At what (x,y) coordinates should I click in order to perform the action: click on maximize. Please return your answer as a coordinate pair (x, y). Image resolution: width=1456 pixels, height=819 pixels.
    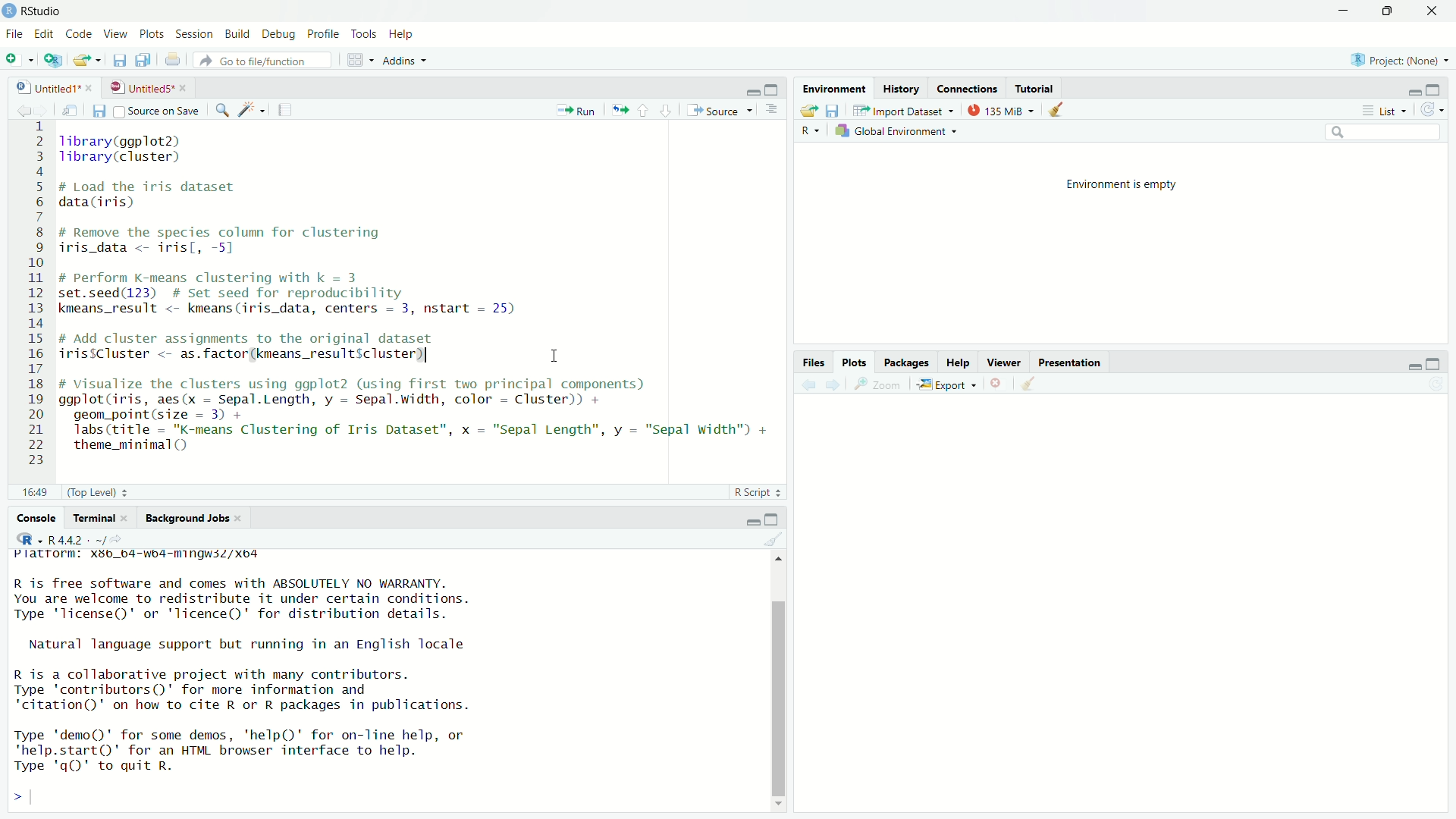
    Looking at the image, I should click on (777, 88).